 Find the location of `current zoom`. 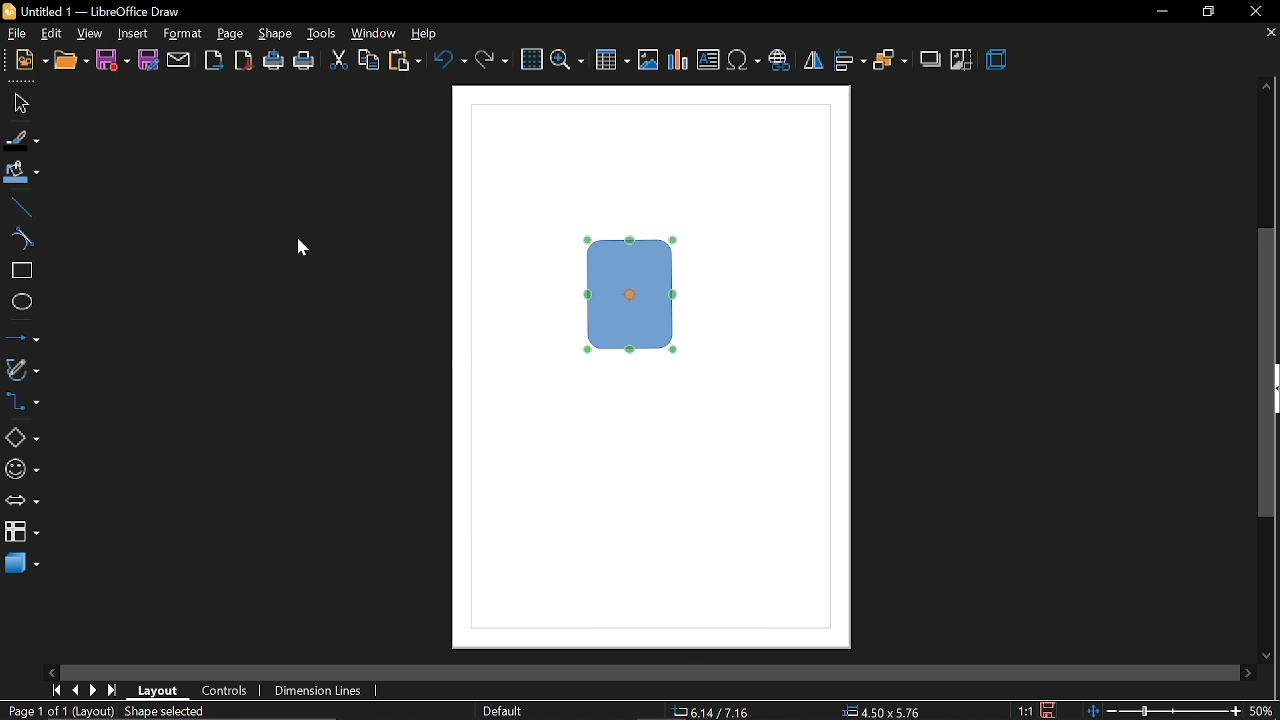

current zoom is located at coordinates (1265, 712).